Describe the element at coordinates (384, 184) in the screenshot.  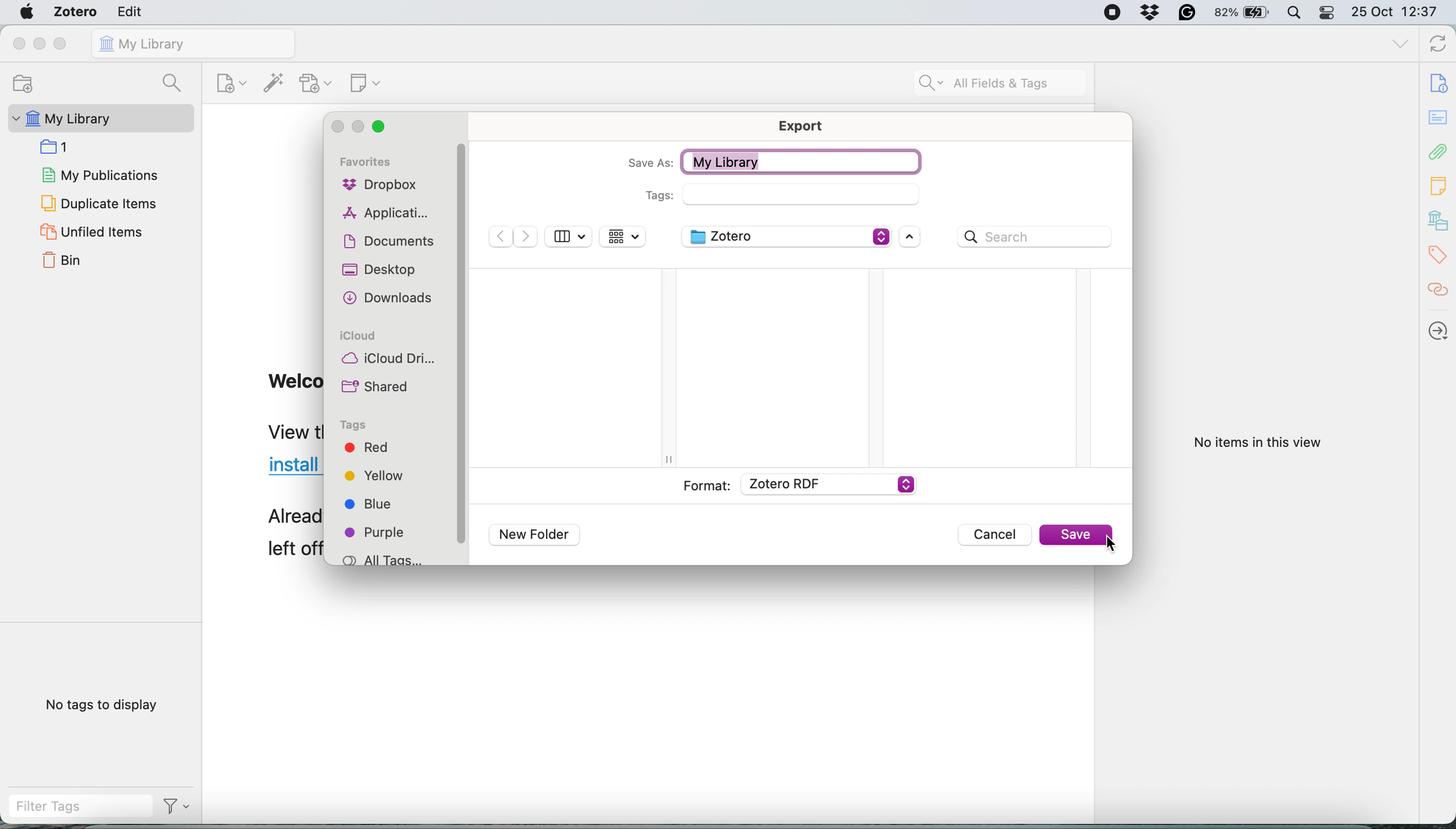
I see `Dropbox` at that location.